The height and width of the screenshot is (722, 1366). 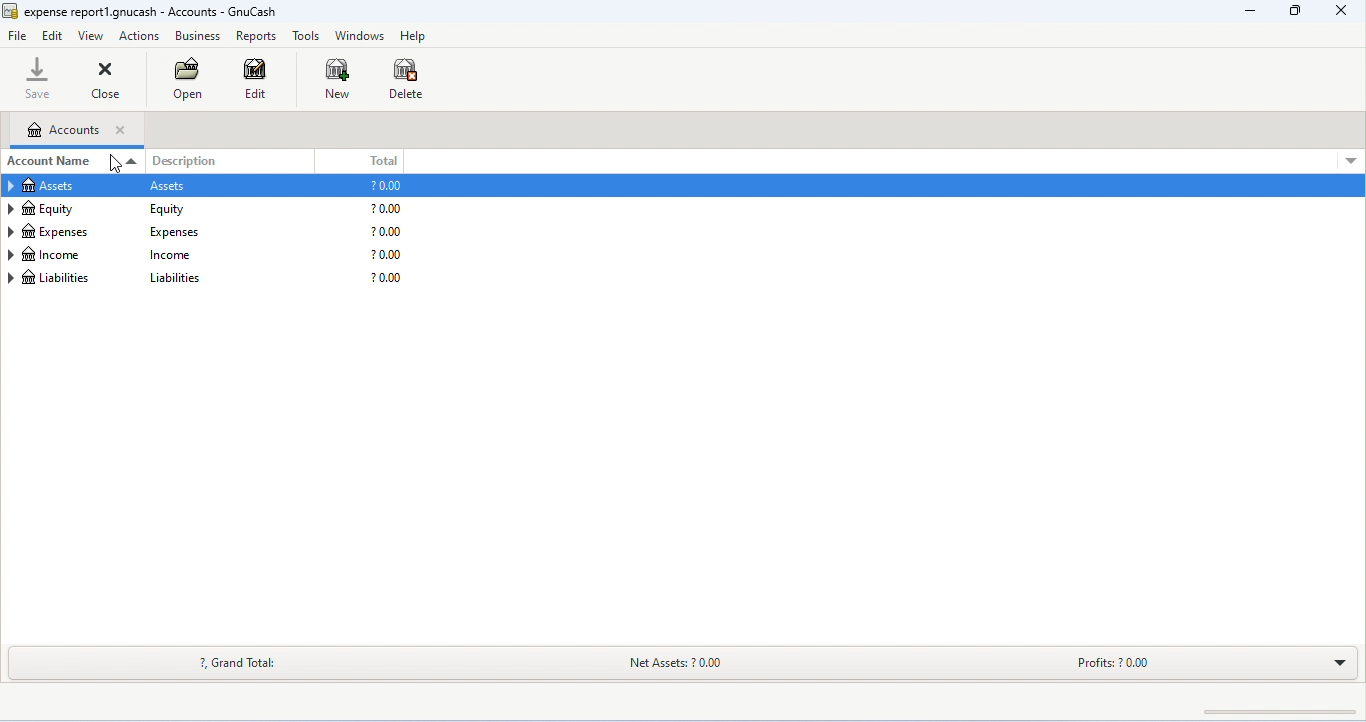 I want to click on equity, so click(x=60, y=210).